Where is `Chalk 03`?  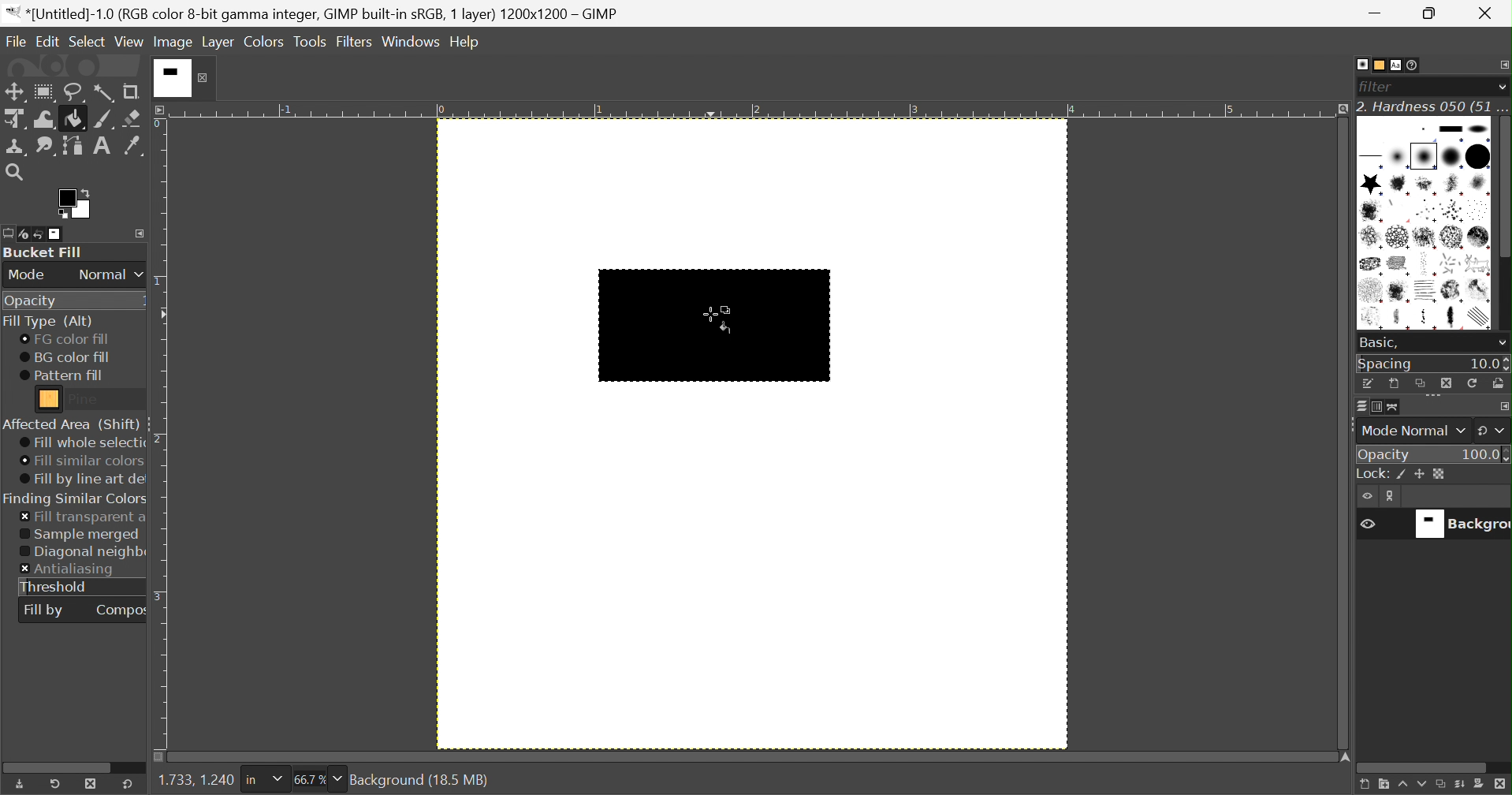
Chalk 03 is located at coordinates (1479, 237).